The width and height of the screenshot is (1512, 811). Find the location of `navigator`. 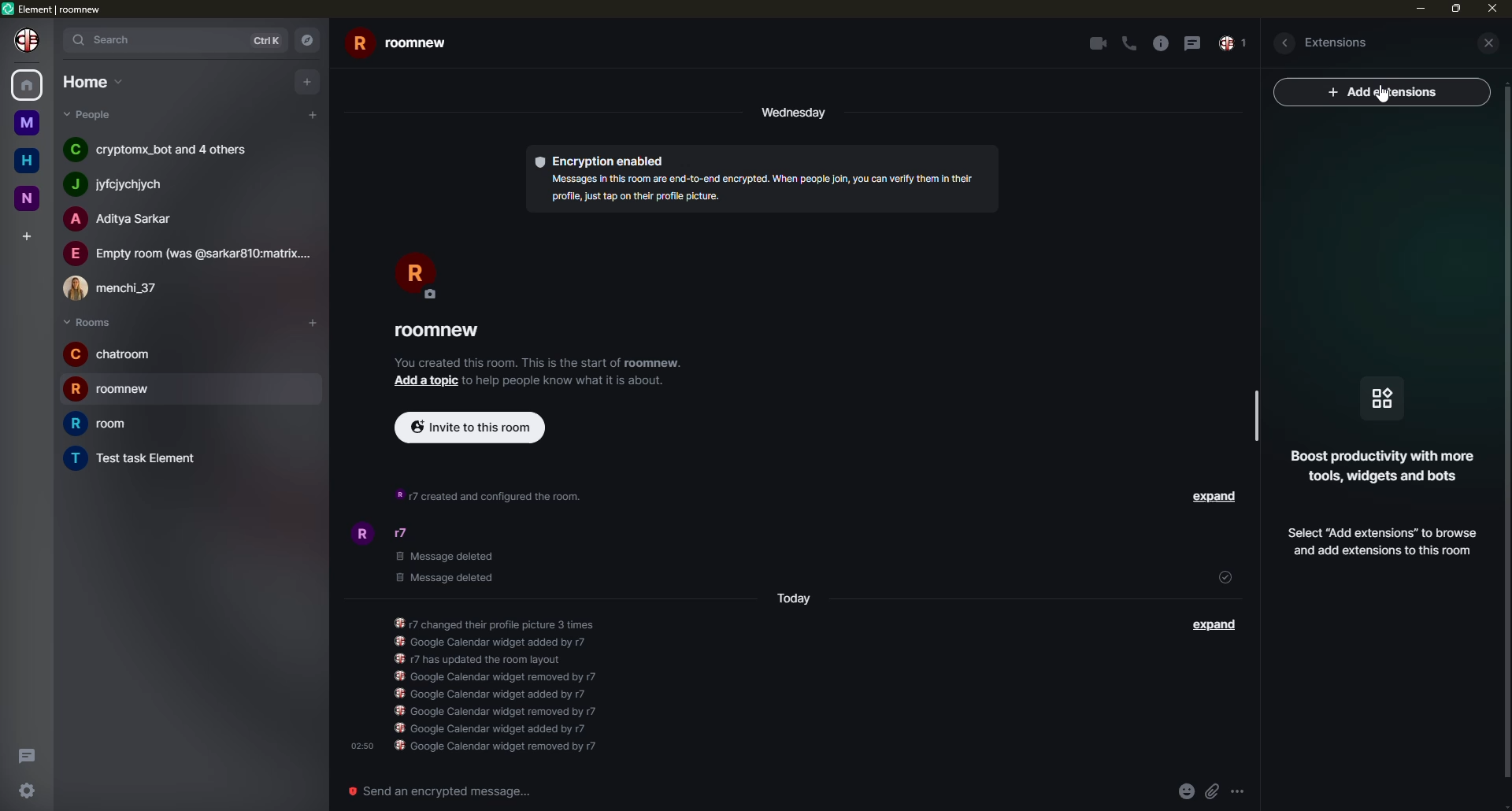

navigator is located at coordinates (308, 39).